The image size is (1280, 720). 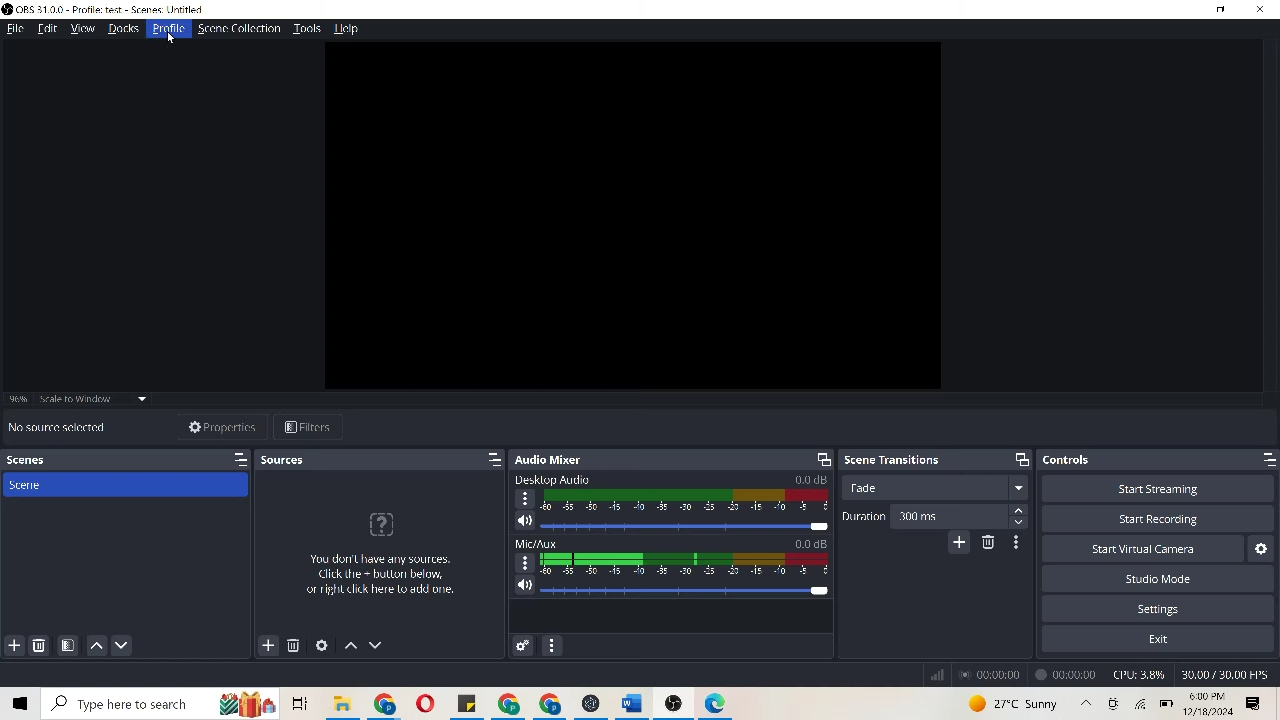 I want to click on Desktop Audio, so click(x=563, y=479).